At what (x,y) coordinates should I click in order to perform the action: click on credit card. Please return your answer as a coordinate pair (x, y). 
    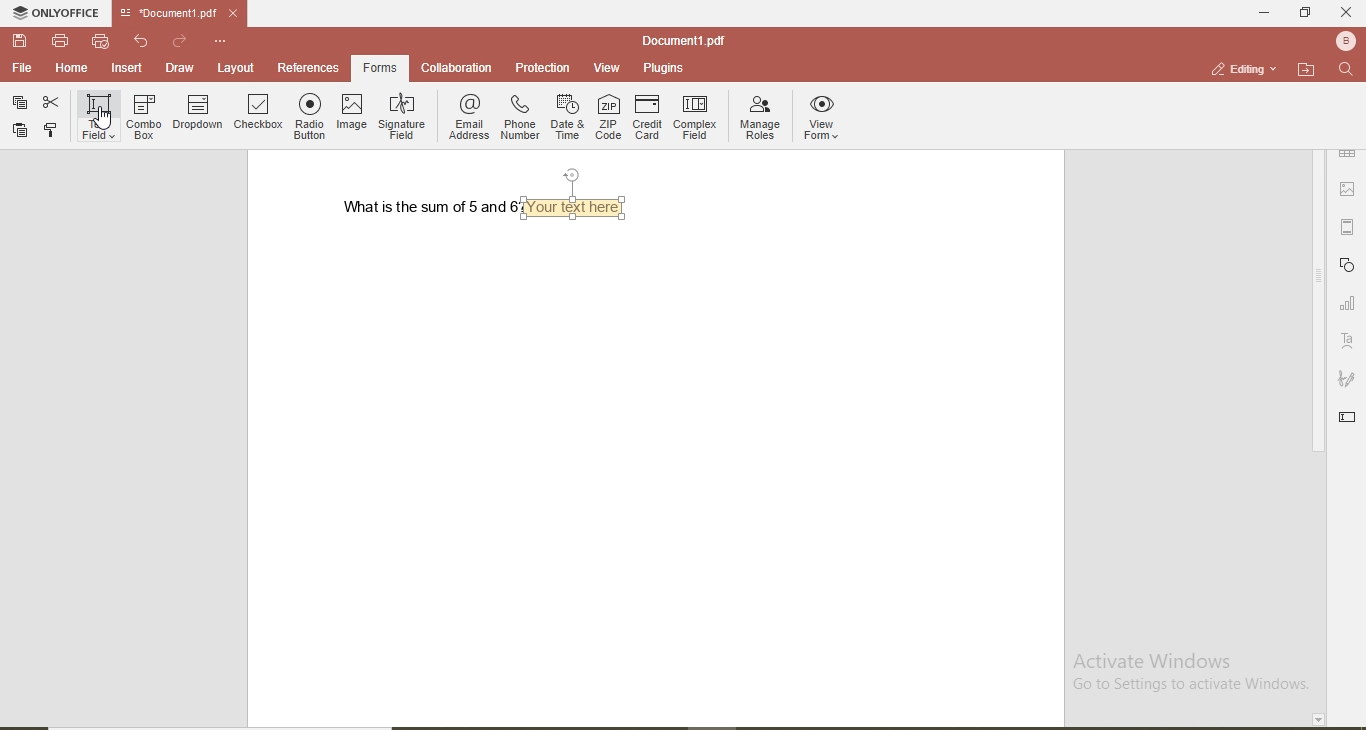
    Looking at the image, I should click on (648, 115).